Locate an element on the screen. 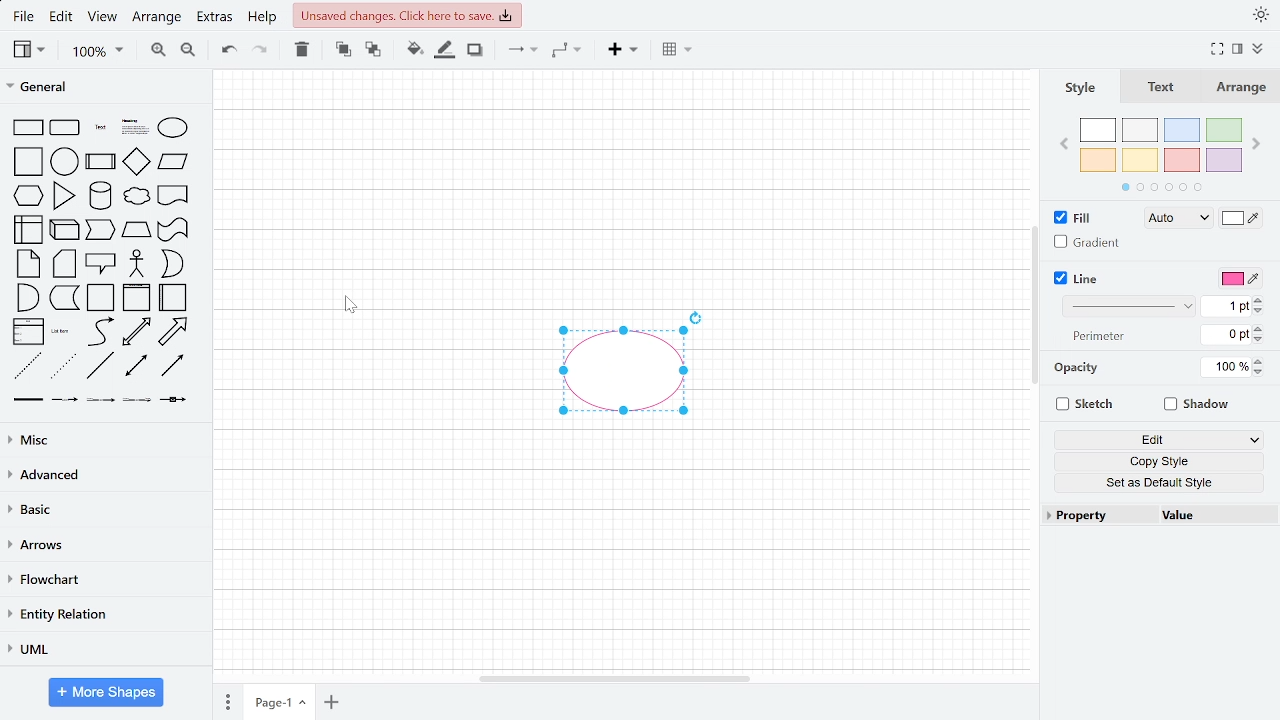  yellow is located at coordinates (1141, 160).